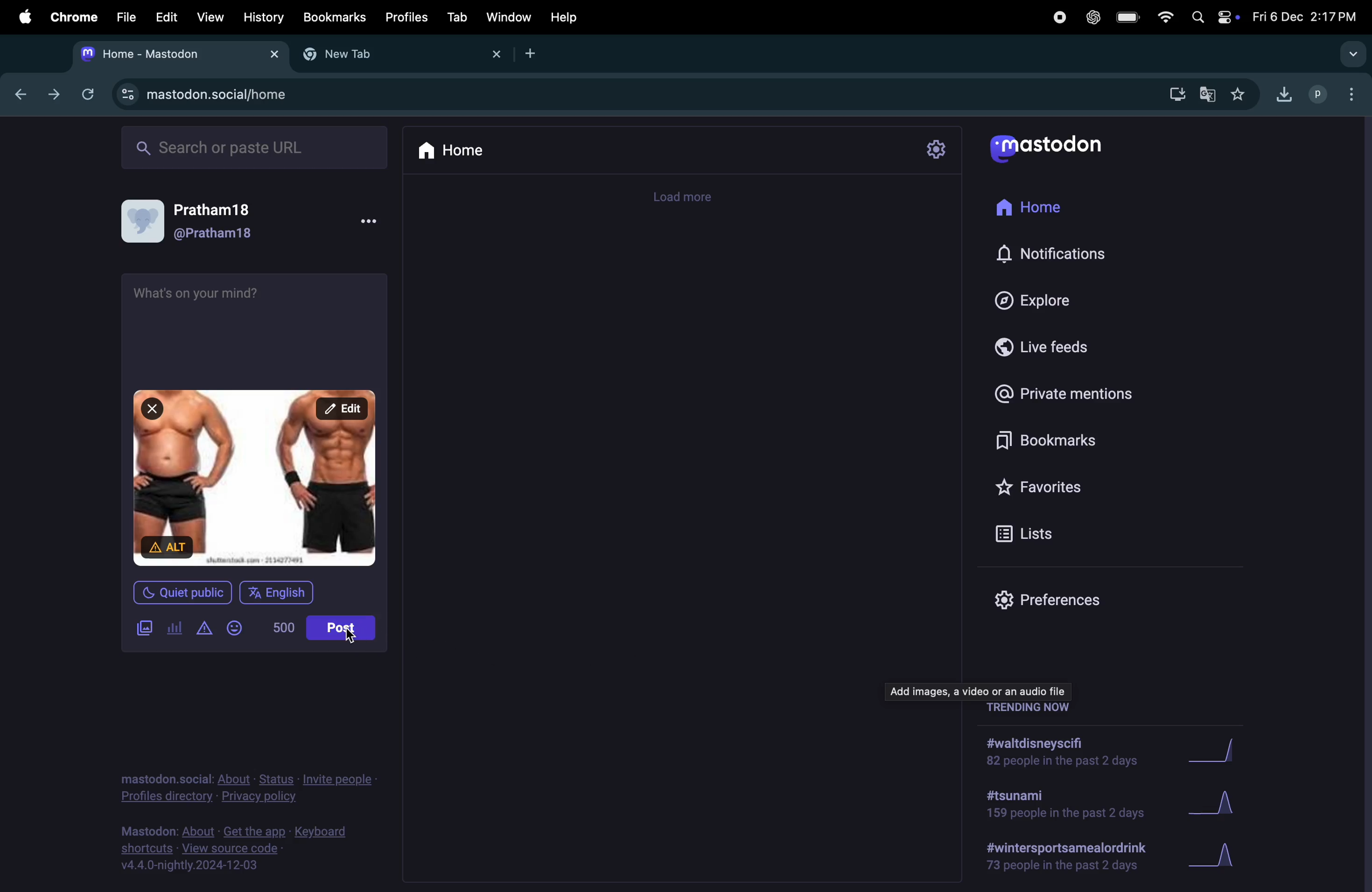 This screenshot has height=892, width=1372. Describe the element at coordinates (406, 17) in the screenshot. I see `profiles` at that location.